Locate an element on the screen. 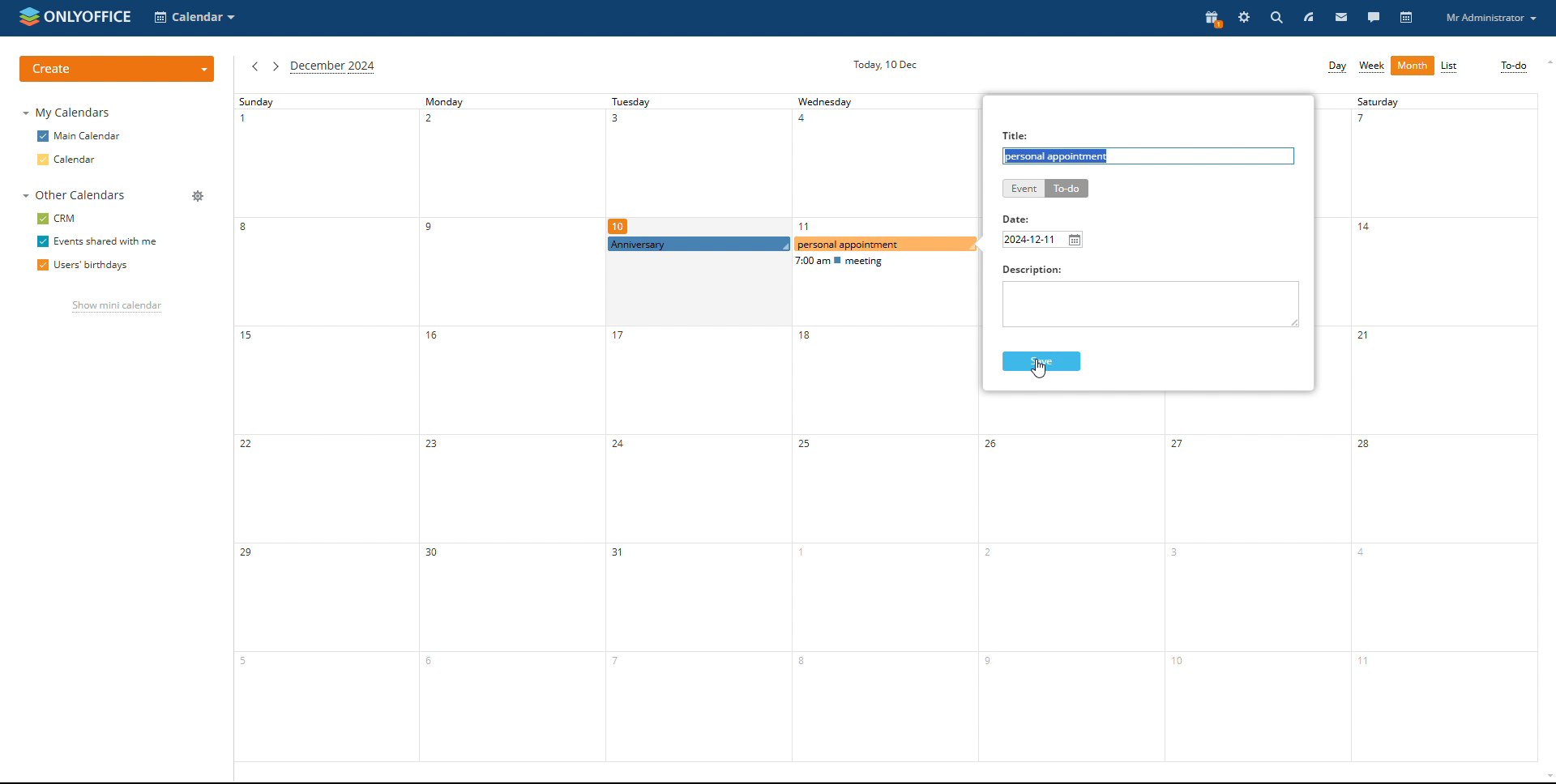 This screenshot has height=784, width=1556. to-do is located at coordinates (1513, 67).